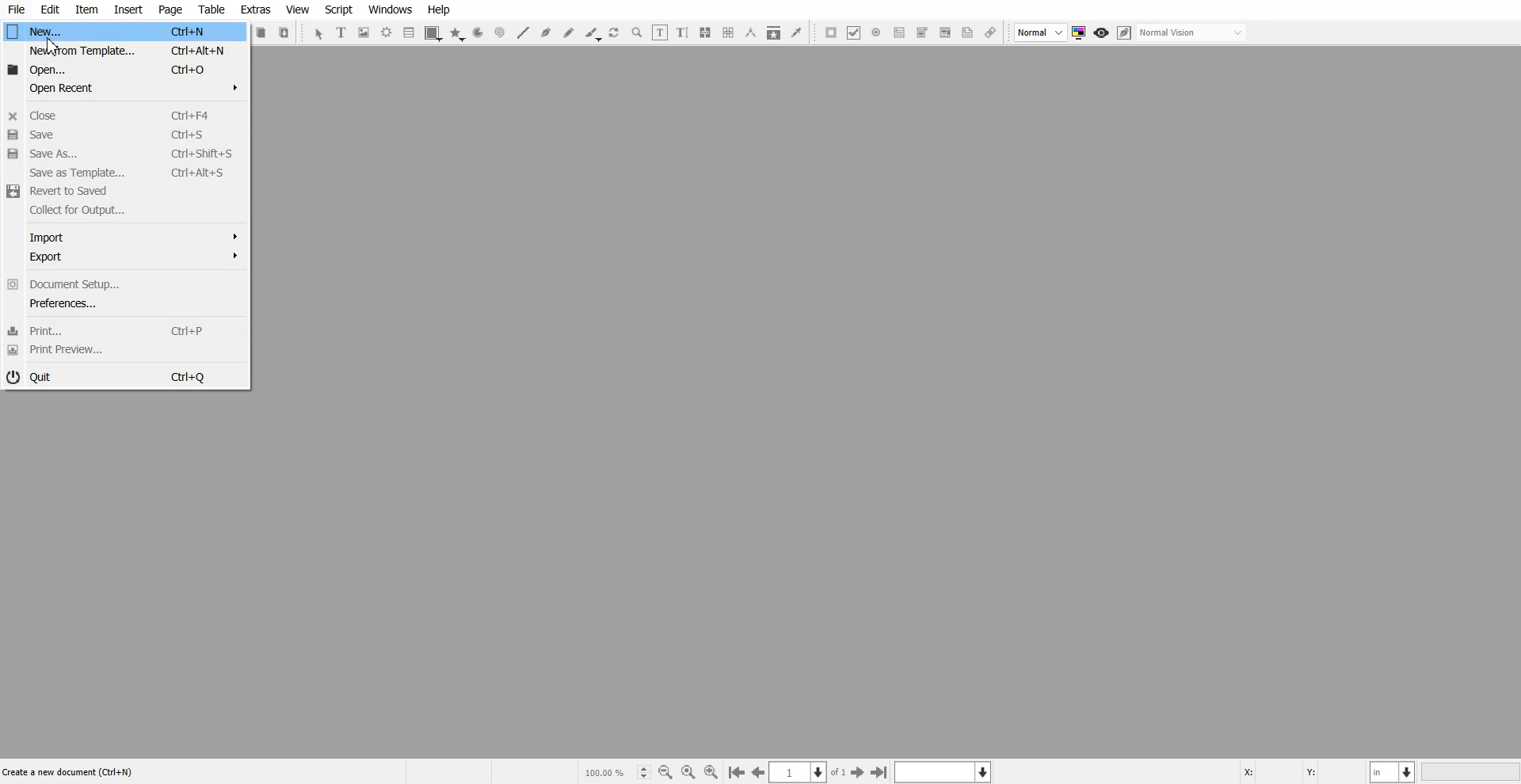  I want to click on Render Frame, so click(387, 32).